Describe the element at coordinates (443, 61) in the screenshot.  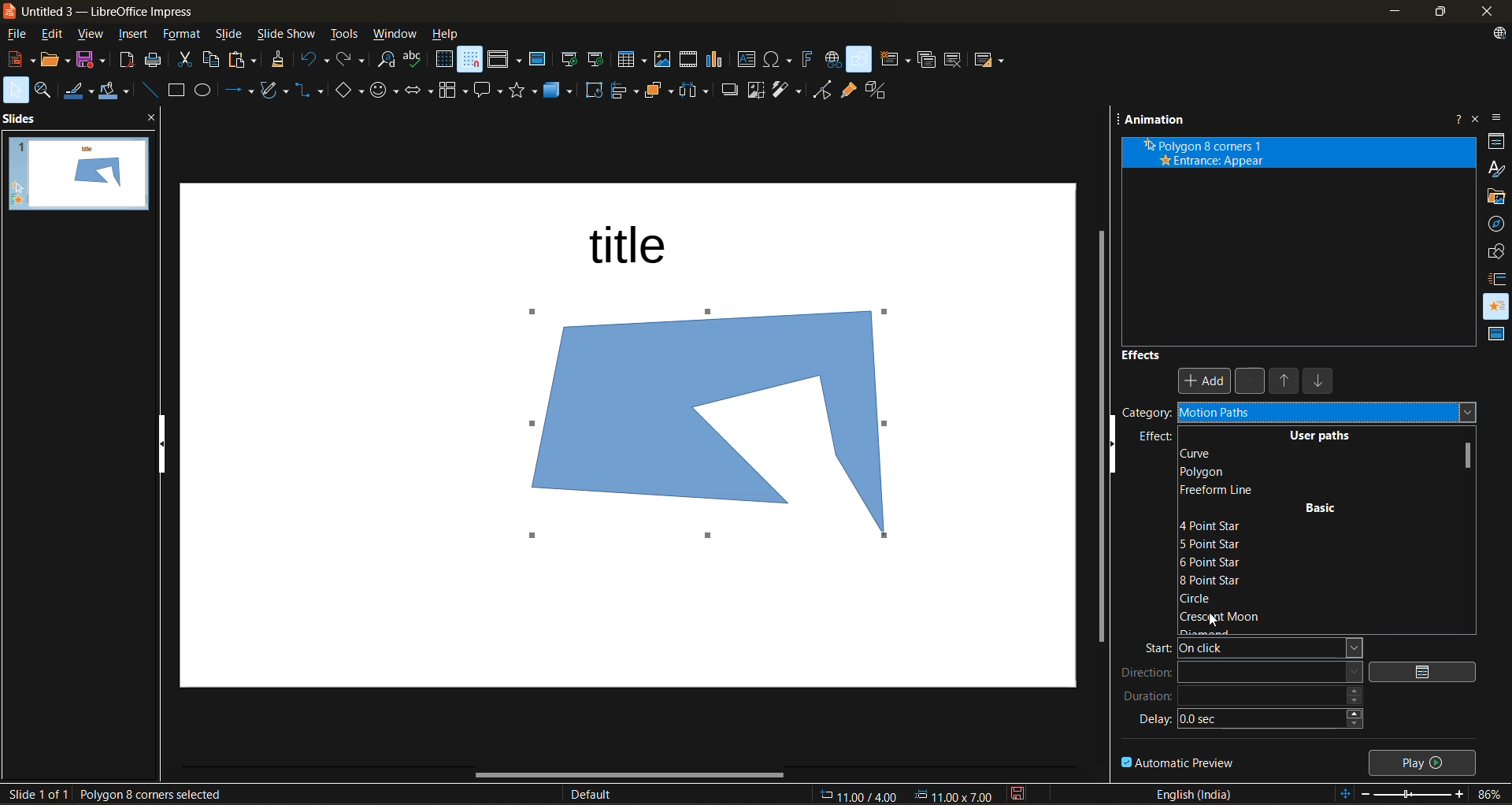
I see `display grid` at that location.